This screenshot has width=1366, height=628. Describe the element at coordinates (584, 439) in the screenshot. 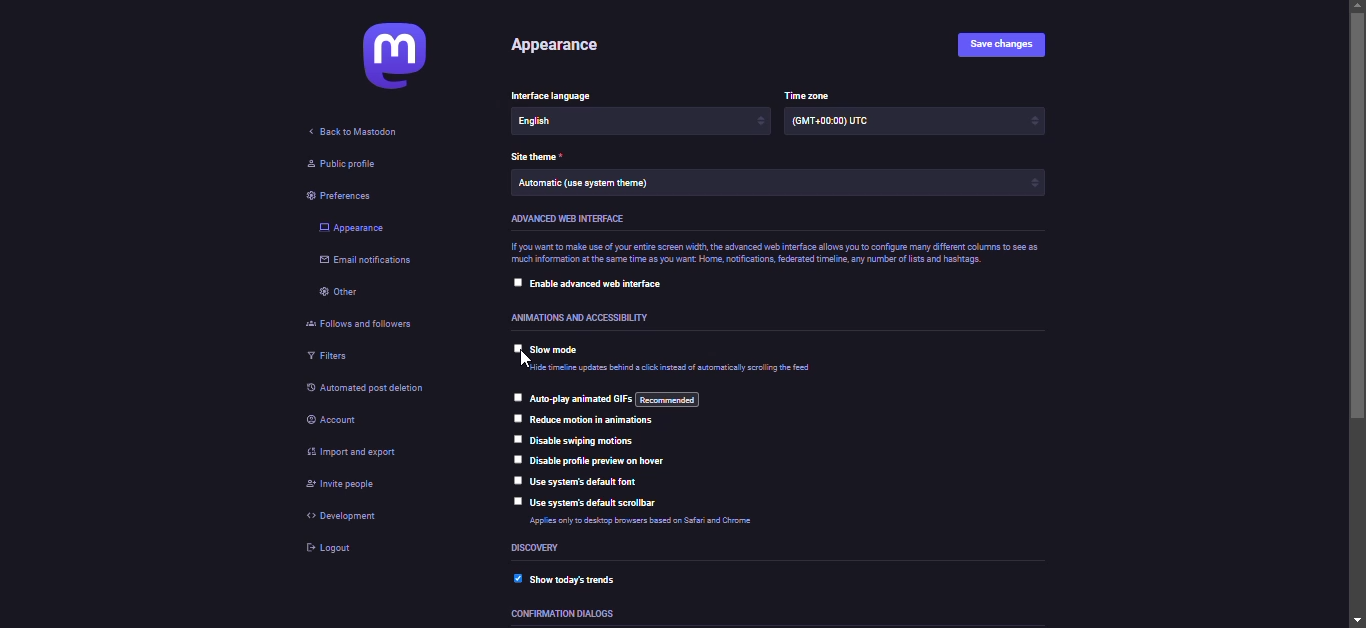

I see `disable swiping motions` at that location.